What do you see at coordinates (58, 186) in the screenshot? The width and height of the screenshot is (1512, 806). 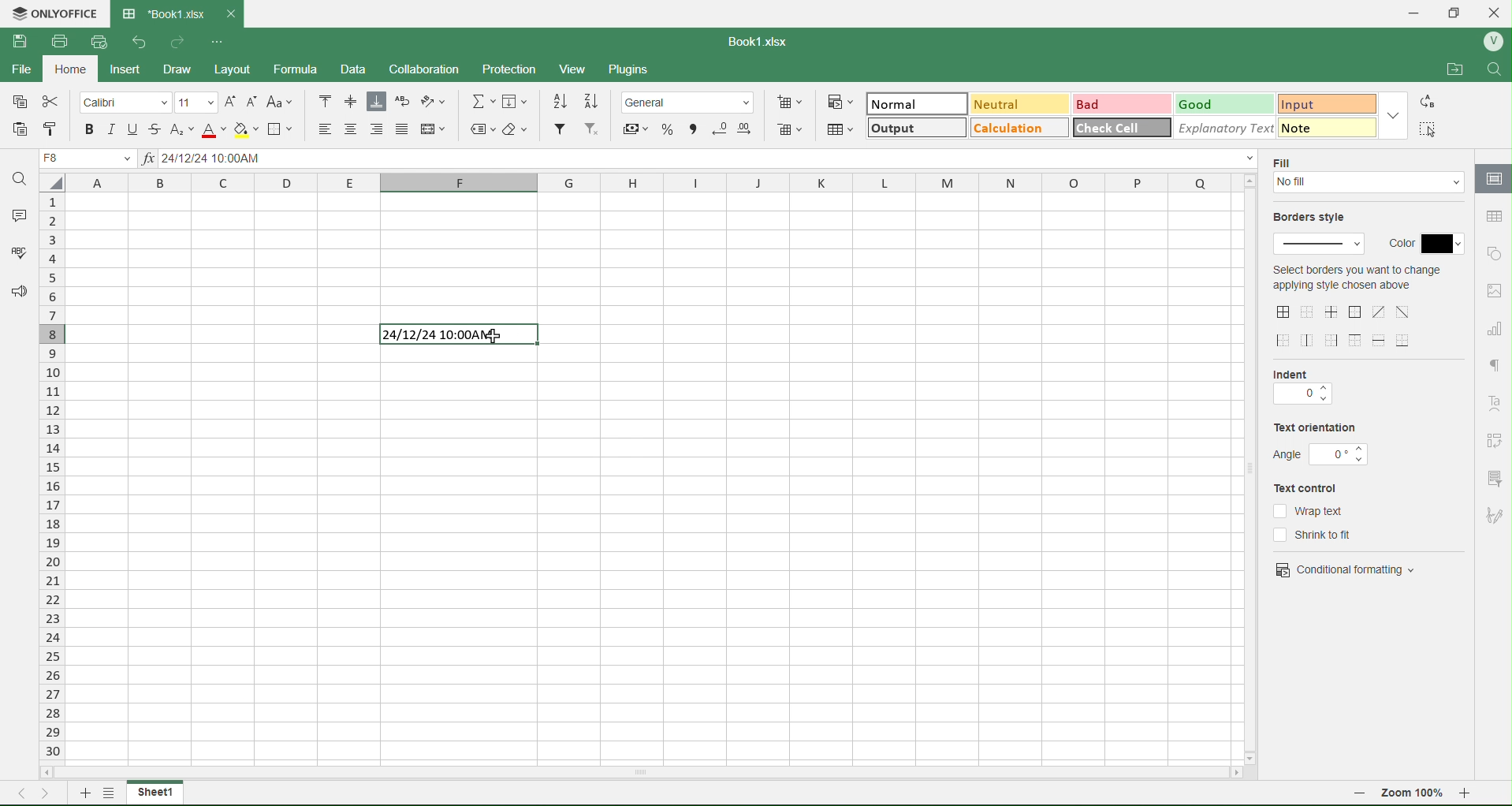 I see `select all` at bounding box center [58, 186].